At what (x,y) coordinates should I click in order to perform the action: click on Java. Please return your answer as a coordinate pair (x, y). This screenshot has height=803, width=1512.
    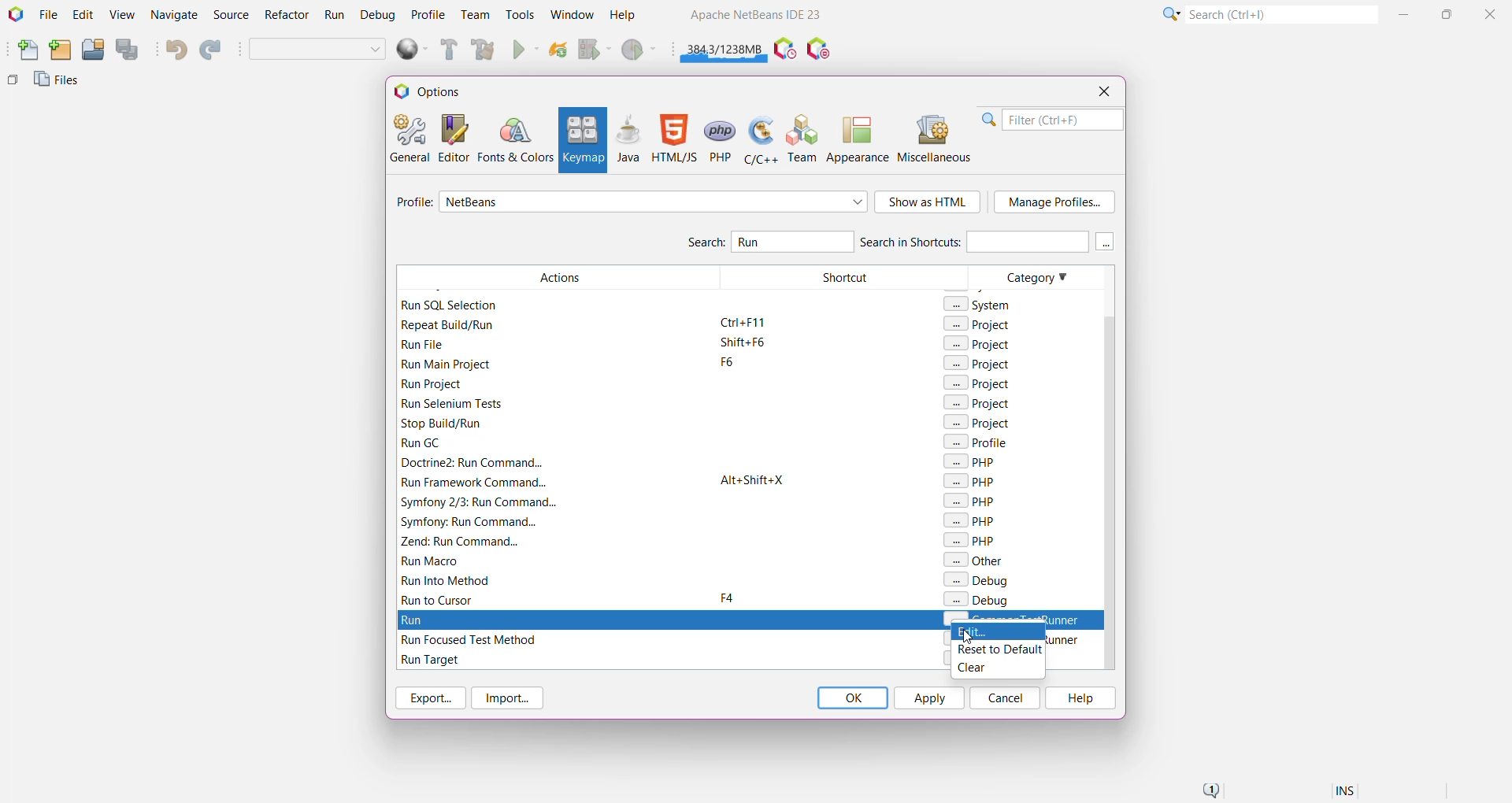
    Looking at the image, I should click on (628, 139).